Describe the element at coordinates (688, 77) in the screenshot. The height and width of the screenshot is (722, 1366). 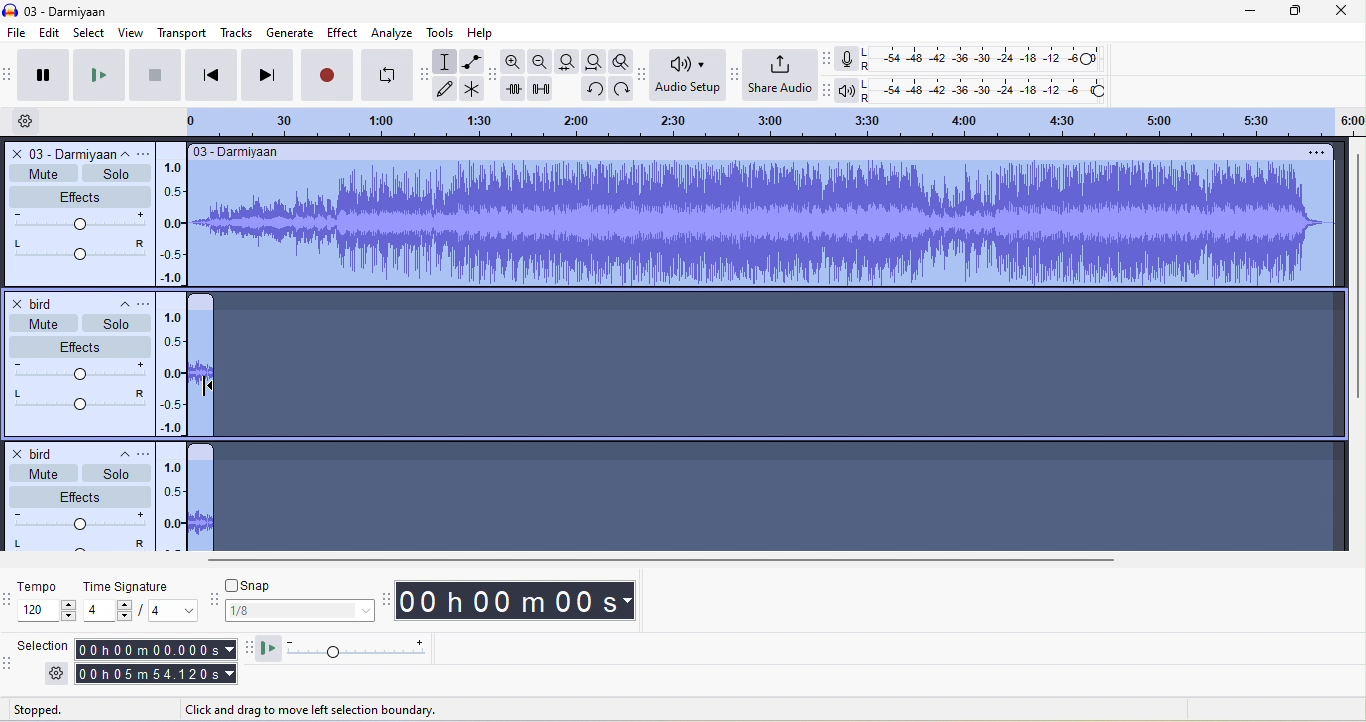
I see `audio setup` at that location.